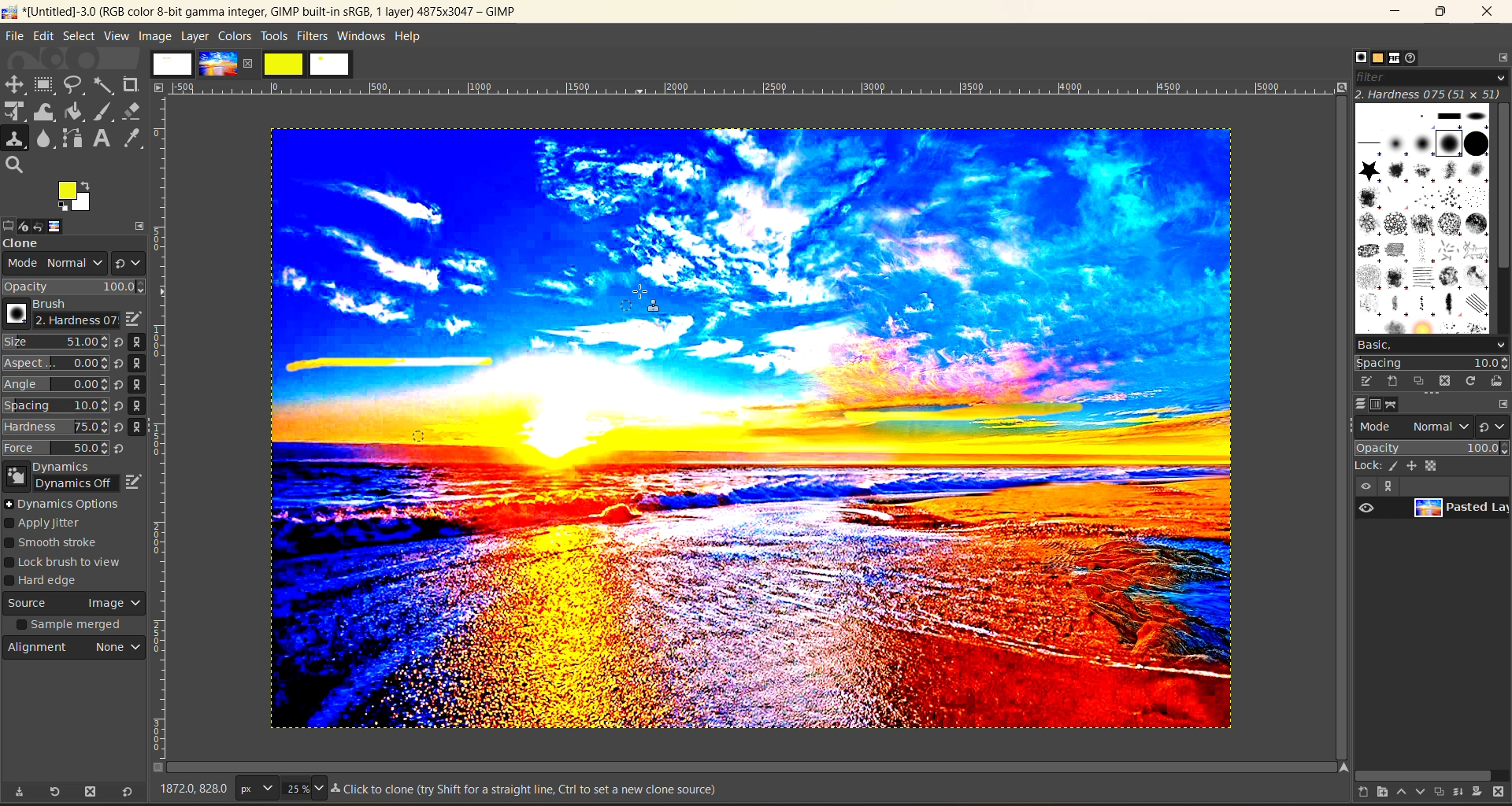 This screenshot has height=806, width=1512. Describe the element at coordinates (56, 448) in the screenshot. I see `Force. 50.0` at that location.